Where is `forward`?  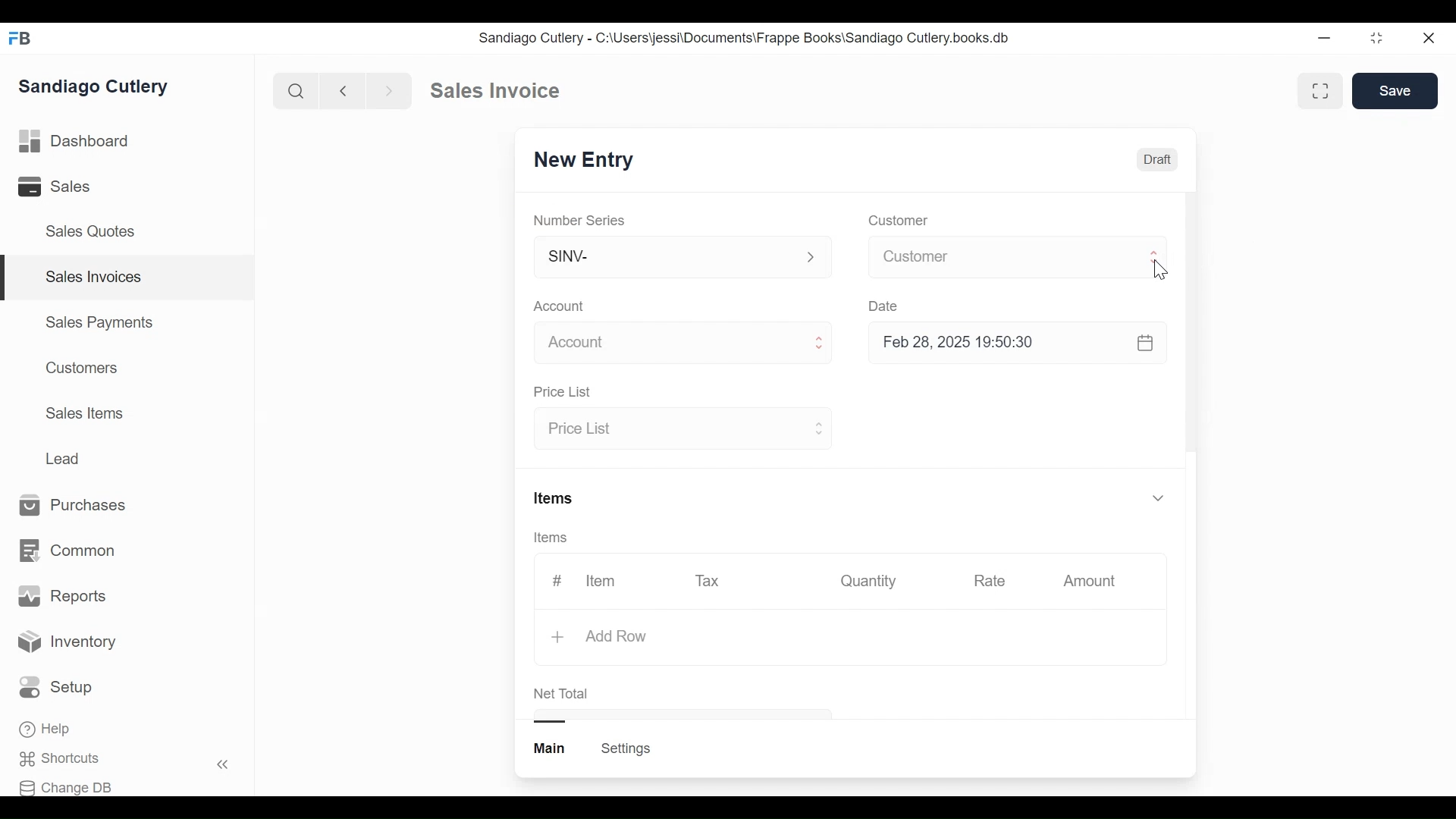 forward is located at coordinates (390, 89).